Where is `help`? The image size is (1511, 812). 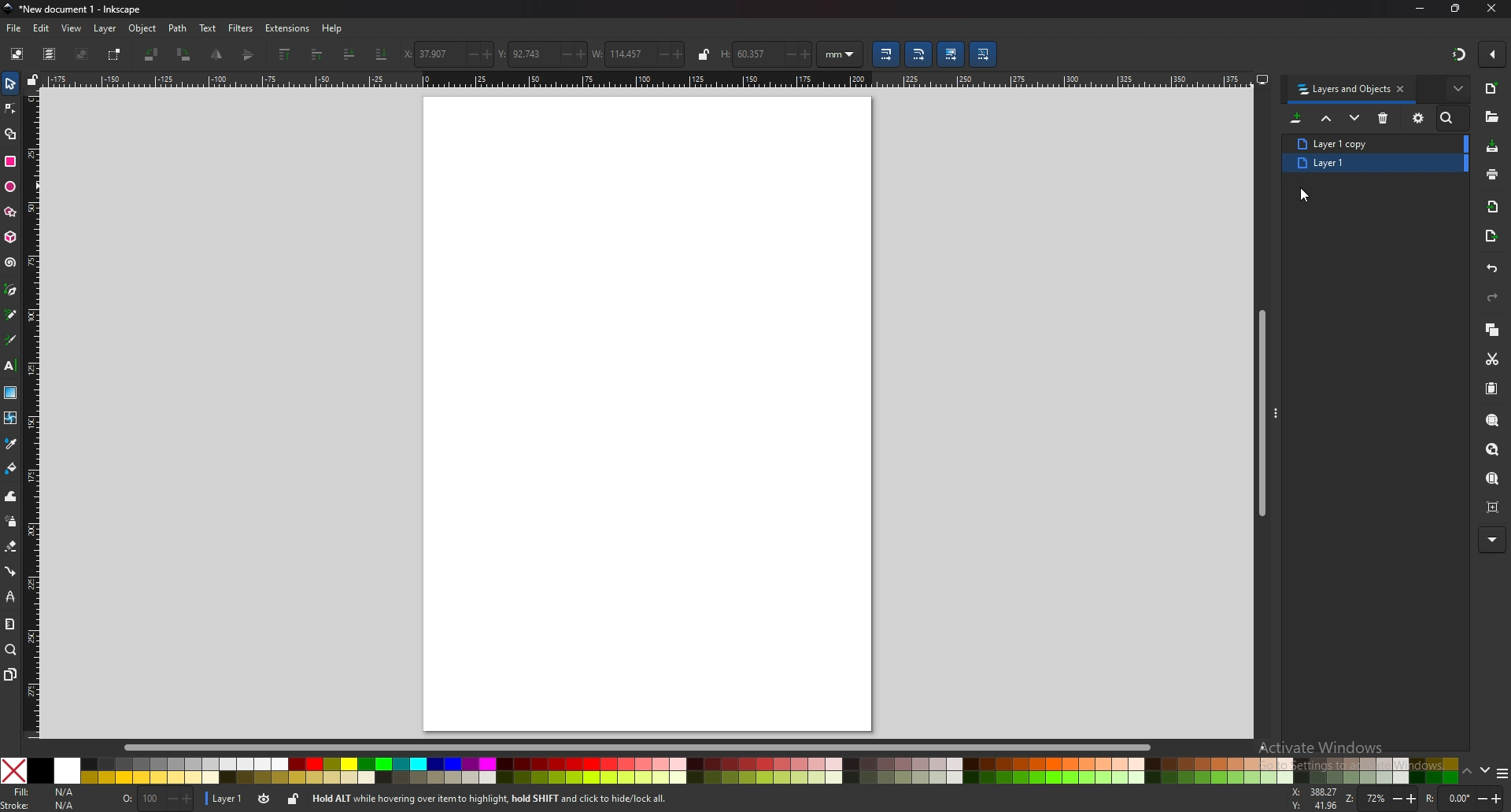
help is located at coordinates (331, 28).